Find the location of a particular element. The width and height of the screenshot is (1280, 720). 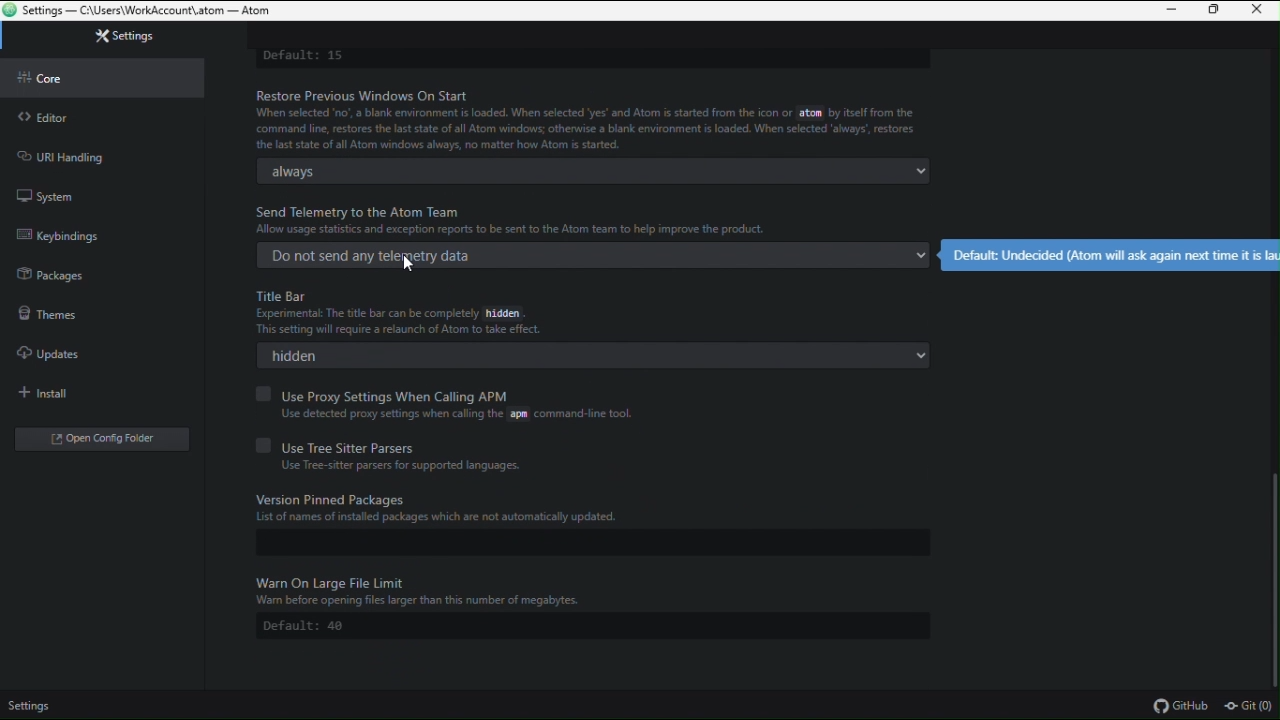

packages is located at coordinates (102, 271).